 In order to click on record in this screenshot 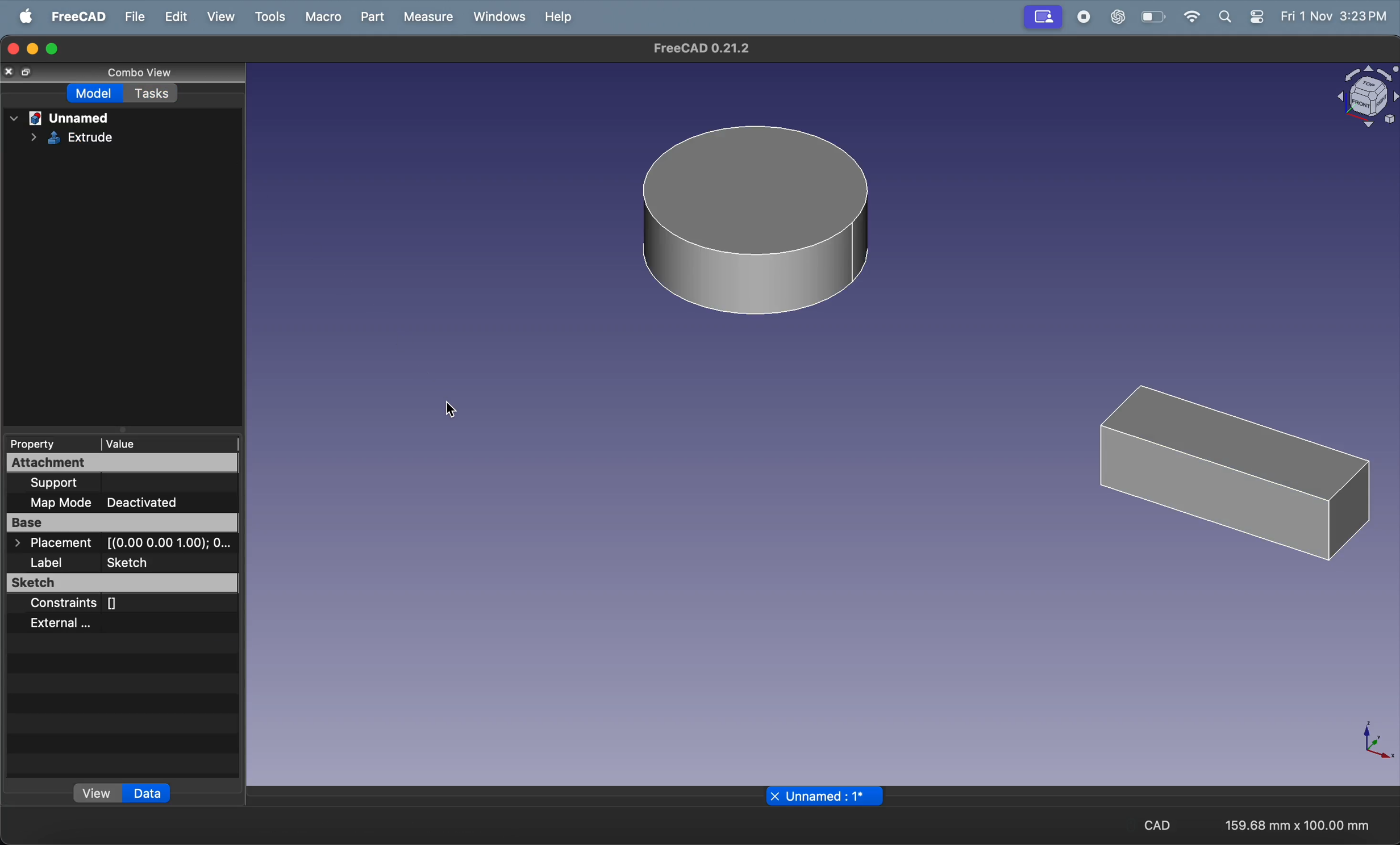, I will do `click(1085, 16)`.